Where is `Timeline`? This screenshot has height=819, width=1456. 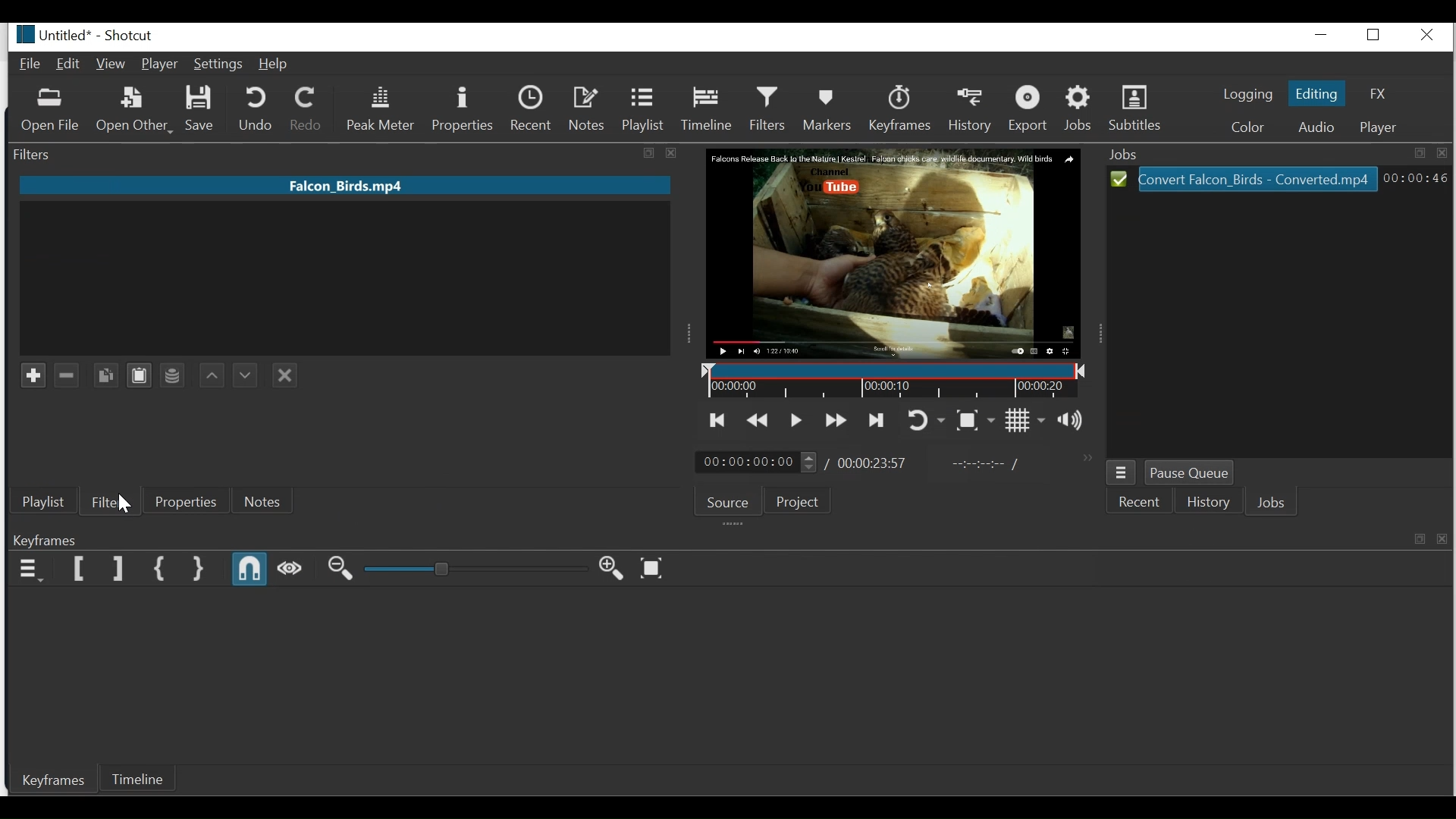 Timeline is located at coordinates (891, 380).